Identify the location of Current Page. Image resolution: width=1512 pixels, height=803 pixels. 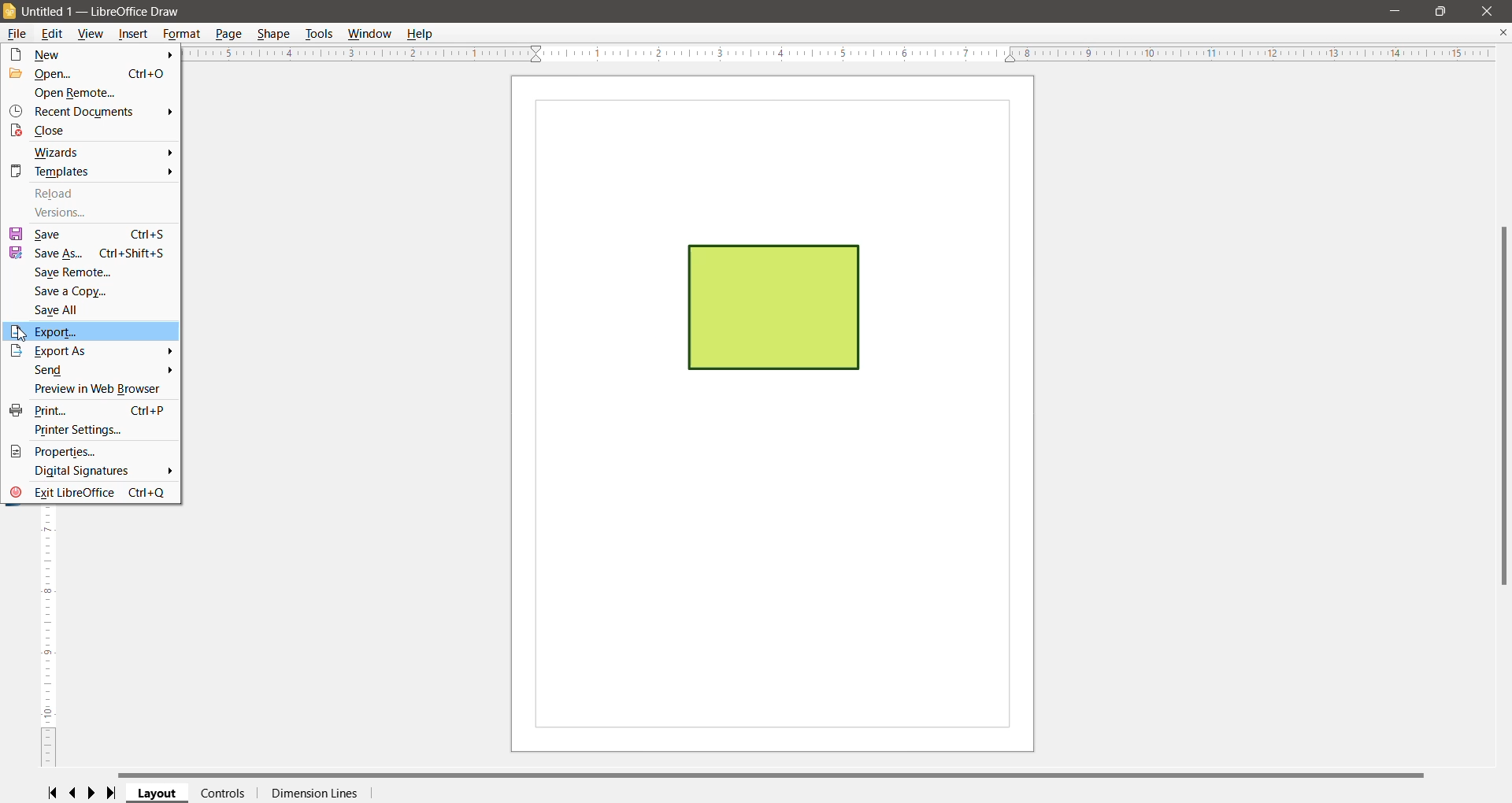
(773, 414).